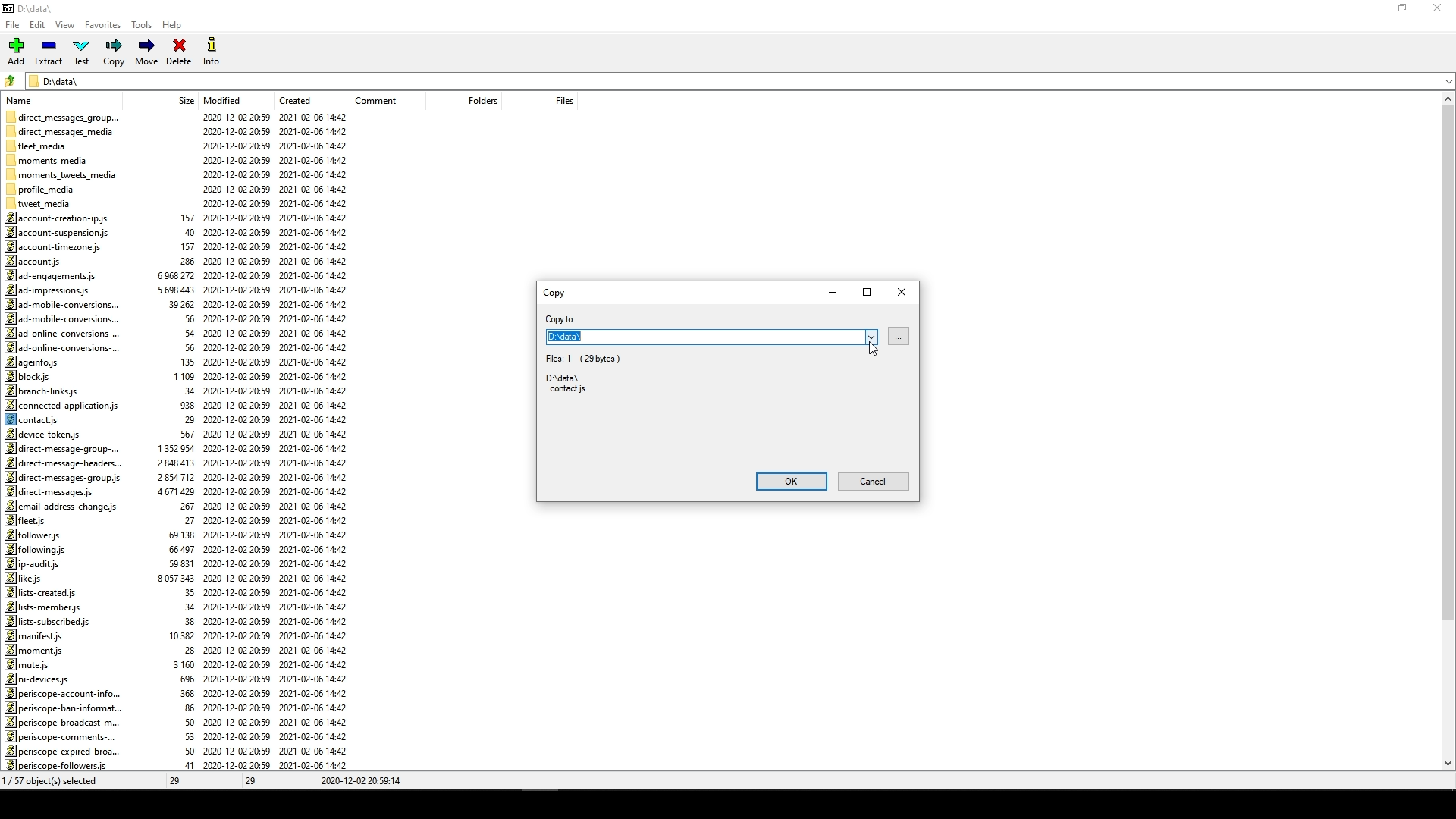 The image size is (1456, 819). Describe the element at coordinates (67, 26) in the screenshot. I see `View` at that location.